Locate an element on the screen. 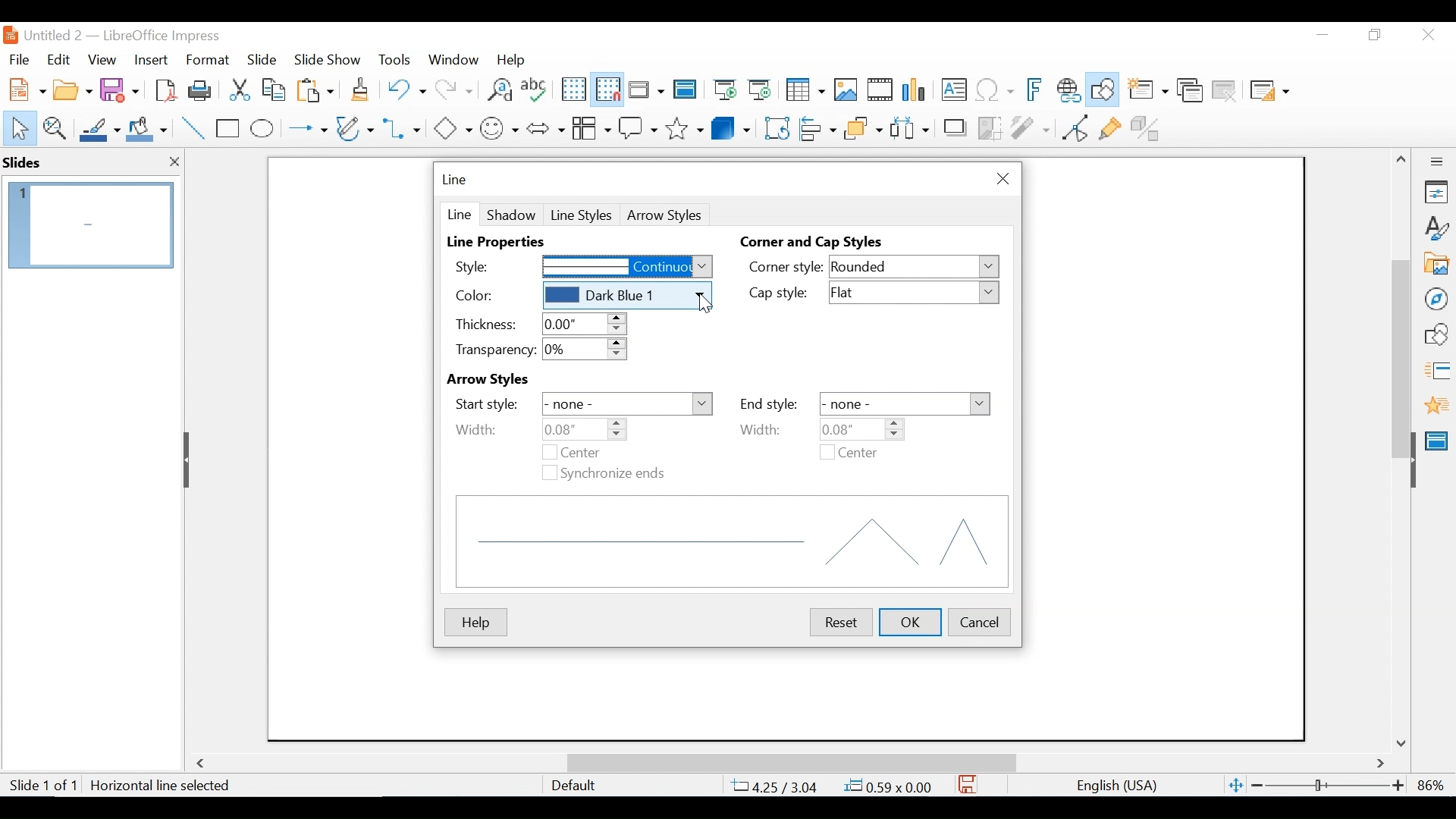  Stars and Banners is located at coordinates (686, 126).